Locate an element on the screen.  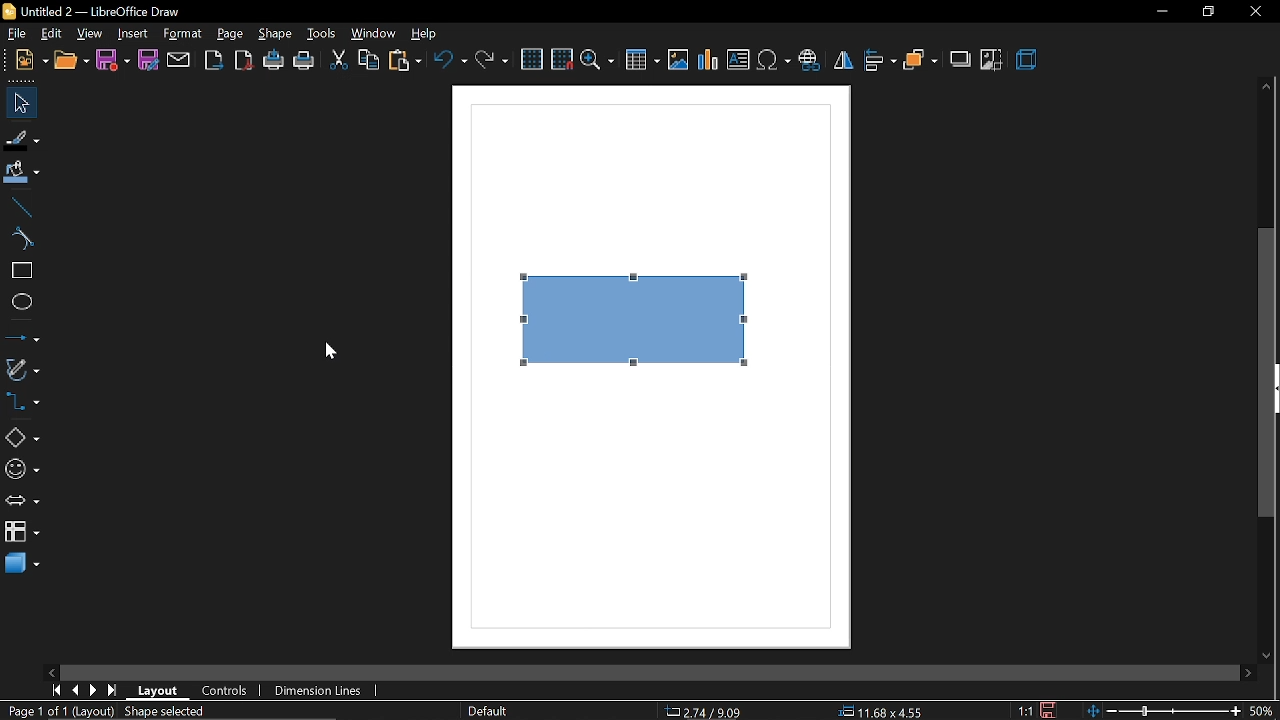
open is located at coordinates (70, 60).